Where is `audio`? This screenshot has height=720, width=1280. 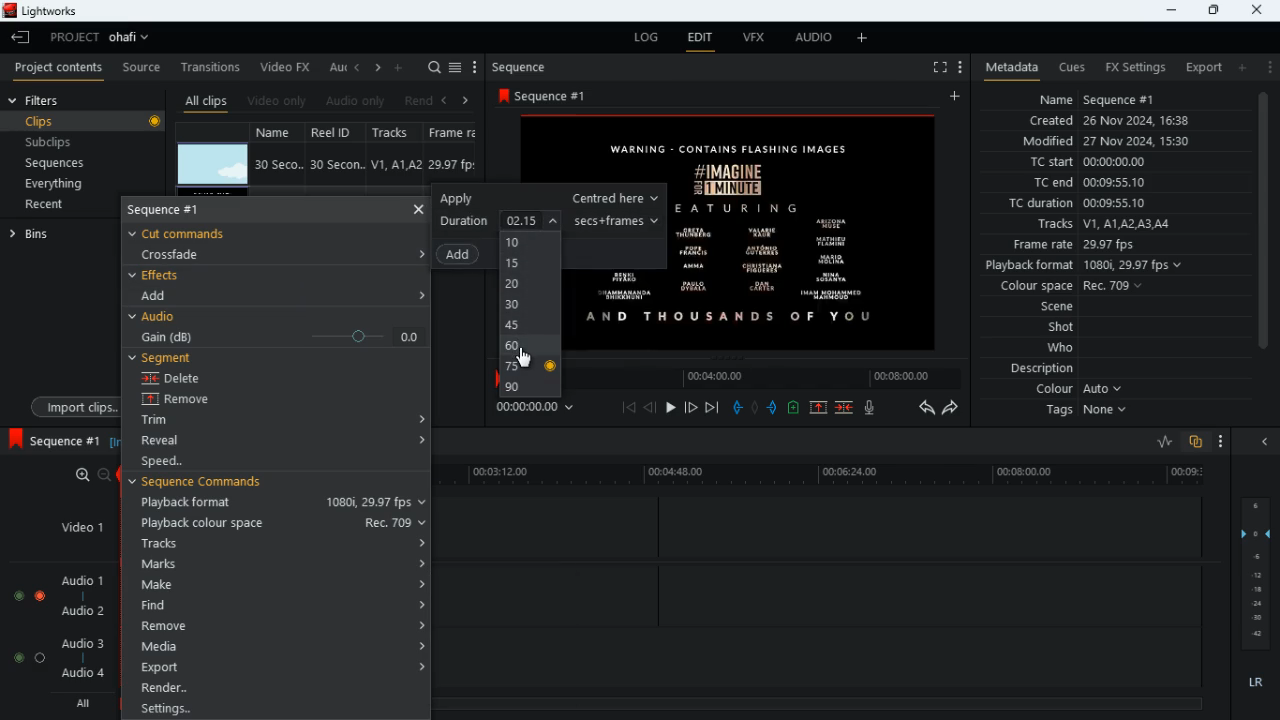 audio is located at coordinates (809, 39).